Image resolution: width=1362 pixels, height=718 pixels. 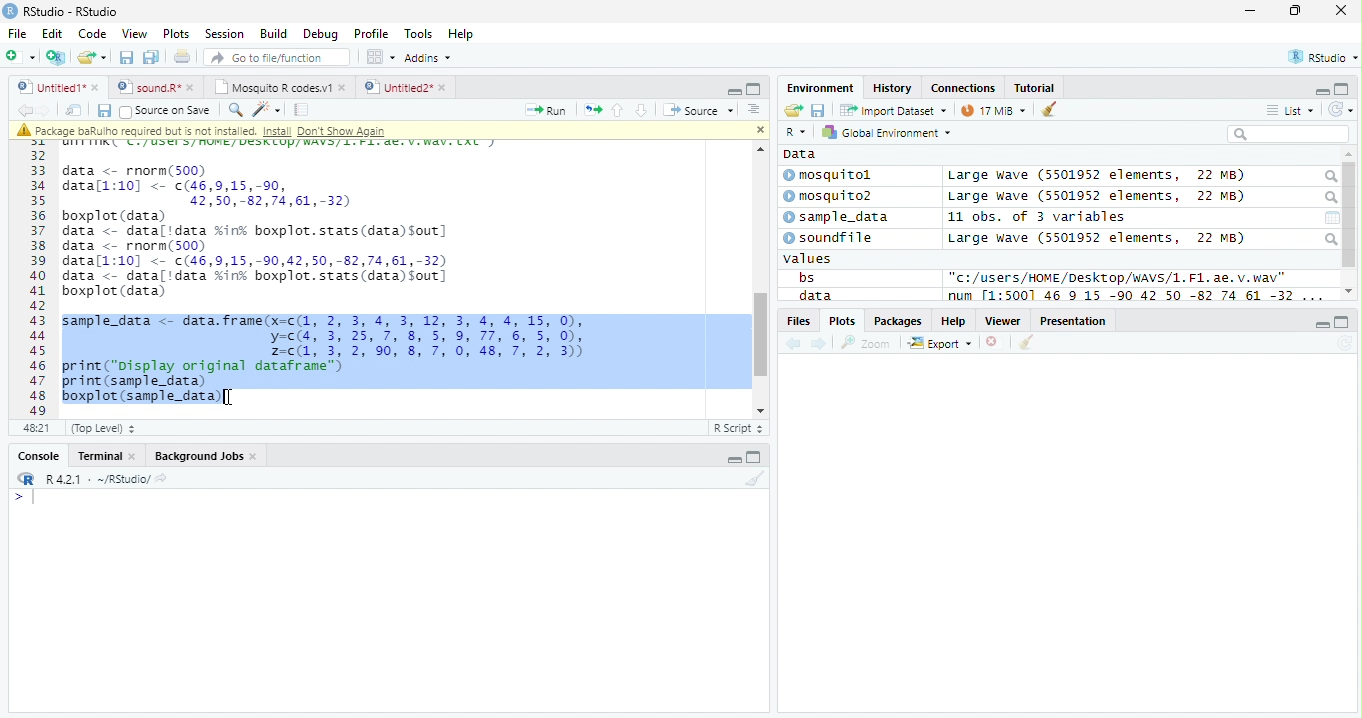 I want to click on Addins, so click(x=430, y=57).